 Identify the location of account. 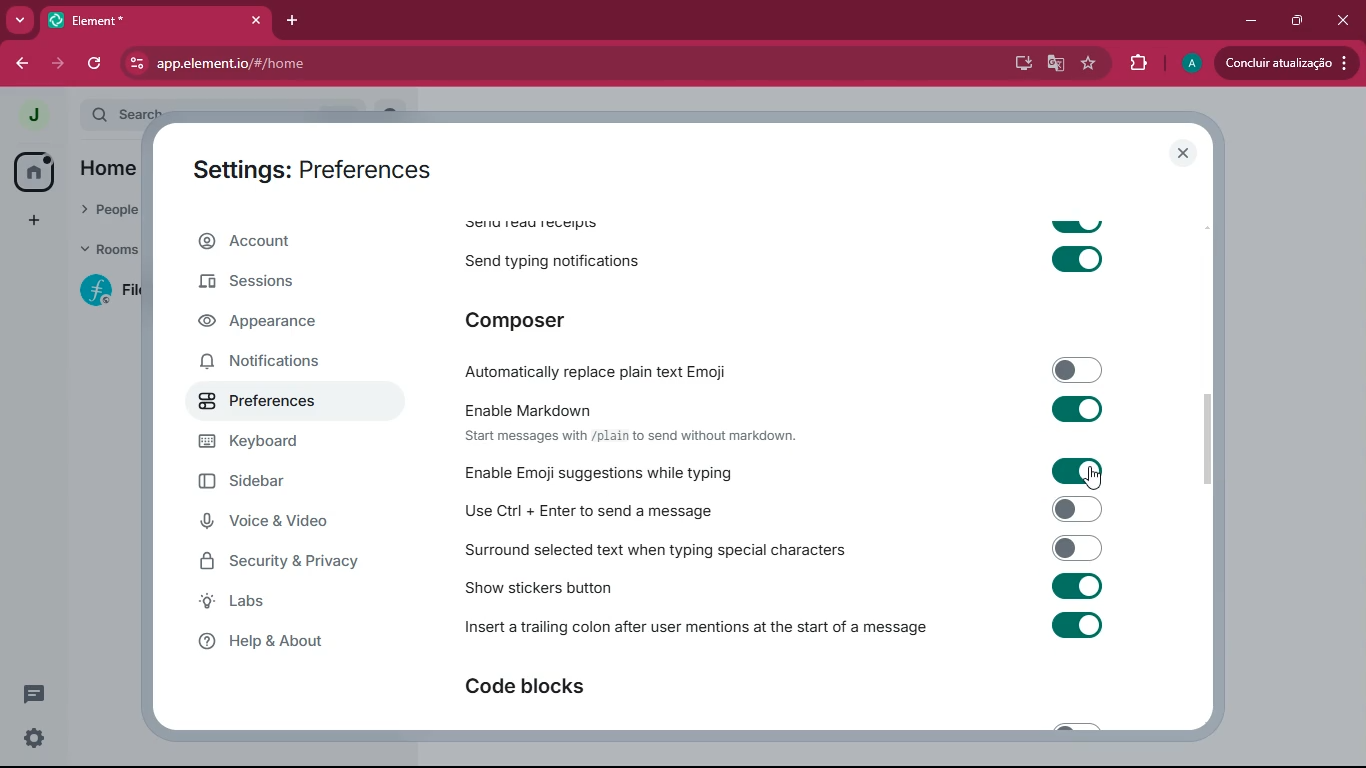
(284, 244).